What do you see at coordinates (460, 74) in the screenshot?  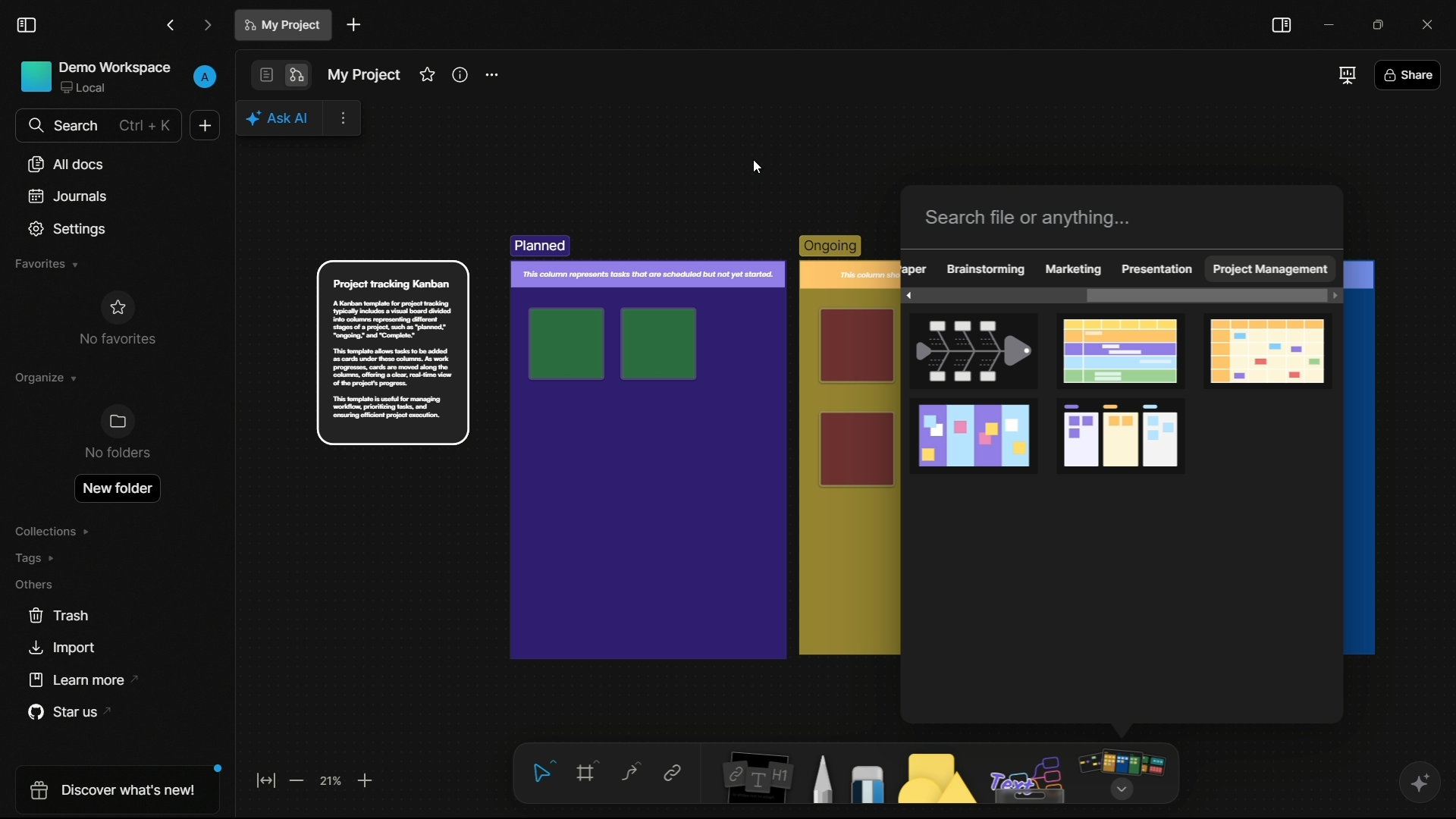 I see `informations` at bounding box center [460, 74].